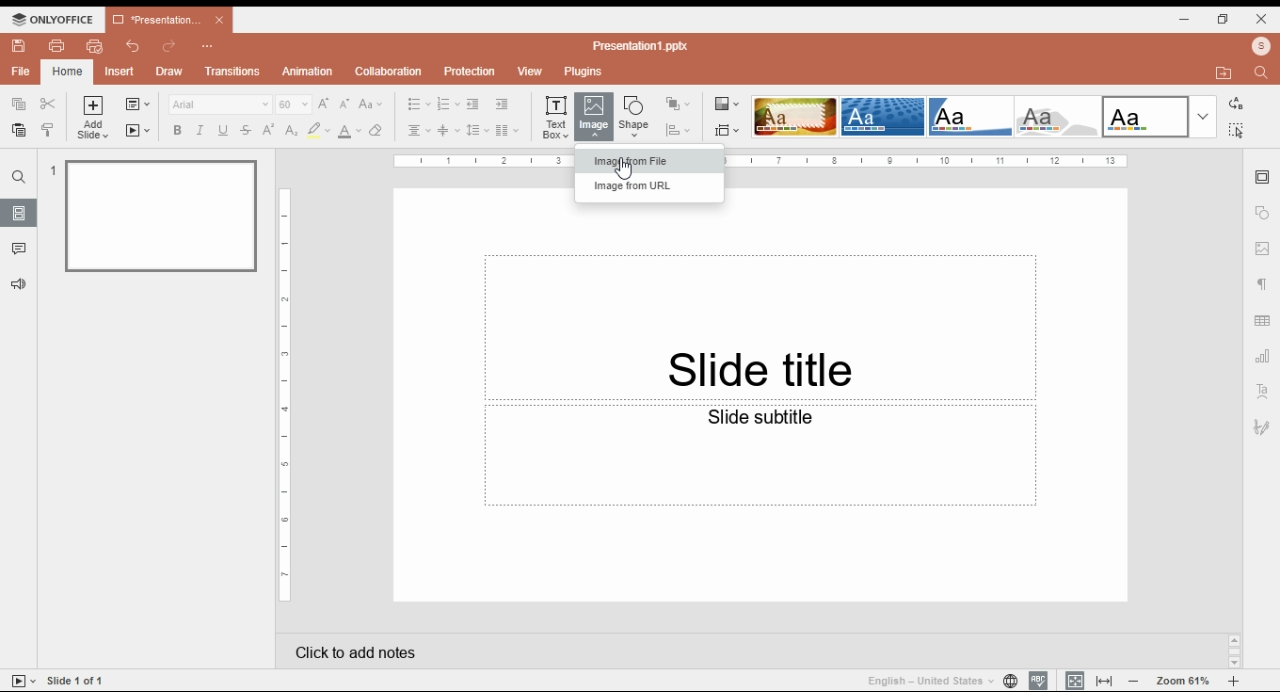  Describe the element at coordinates (388, 71) in the screenshot. I see `collaboration` at that location.